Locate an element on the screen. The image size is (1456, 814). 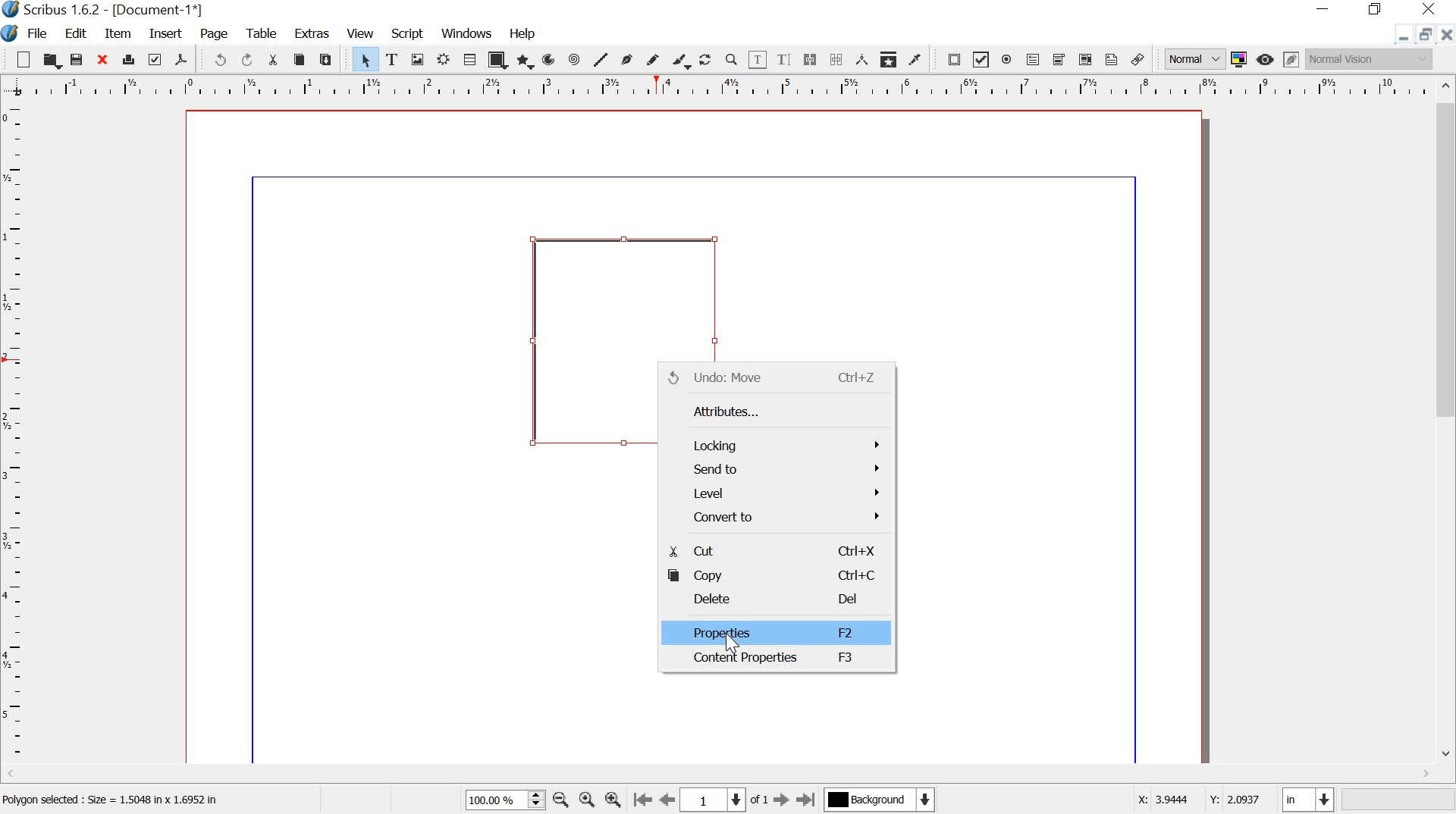
zoom in and out is located at coordinates (536, 799).